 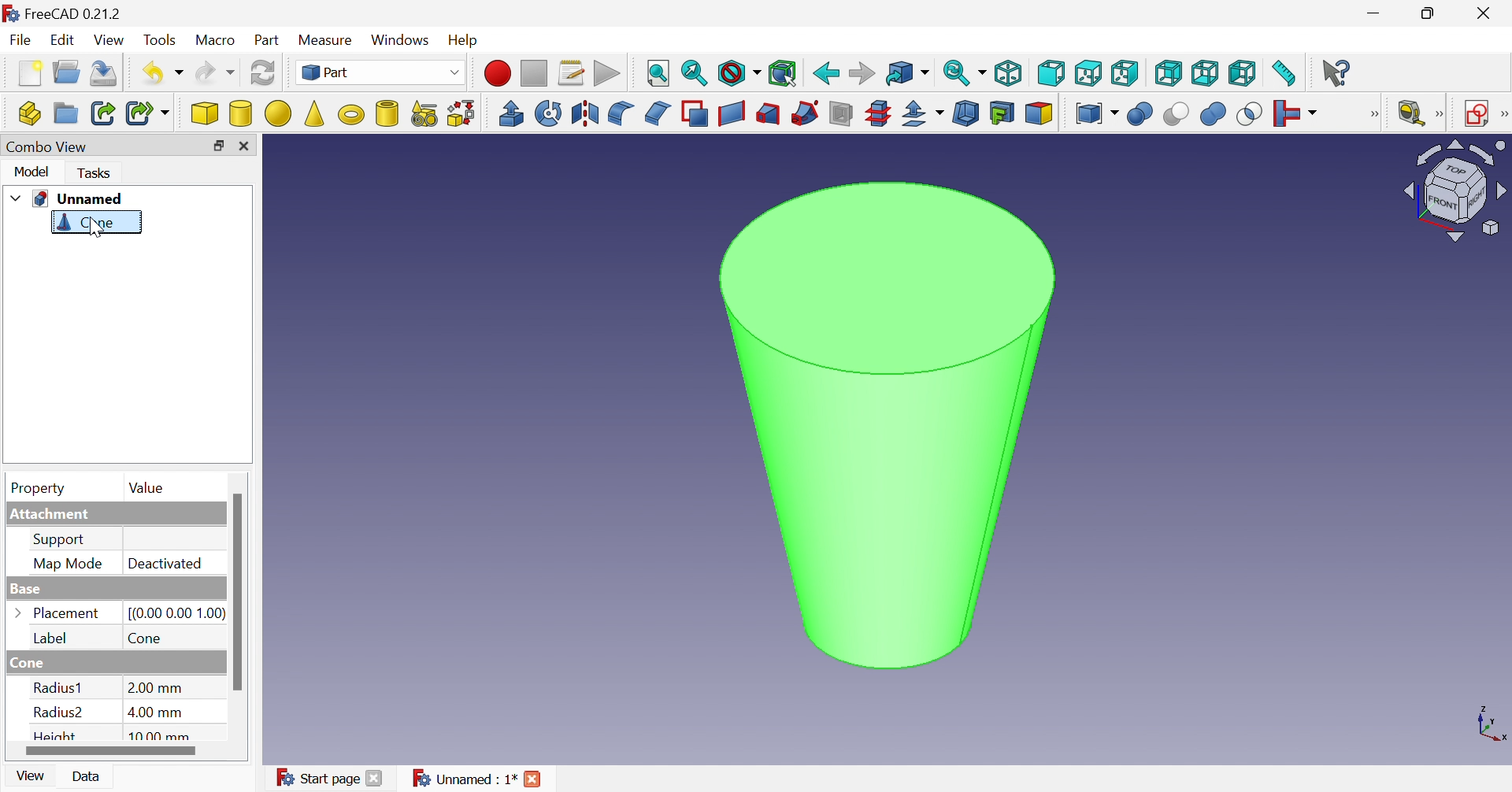 What do you see at coordinates (149, 114) in the screenshot?
I see `Male sub-link` at bounding box center [149, 114].